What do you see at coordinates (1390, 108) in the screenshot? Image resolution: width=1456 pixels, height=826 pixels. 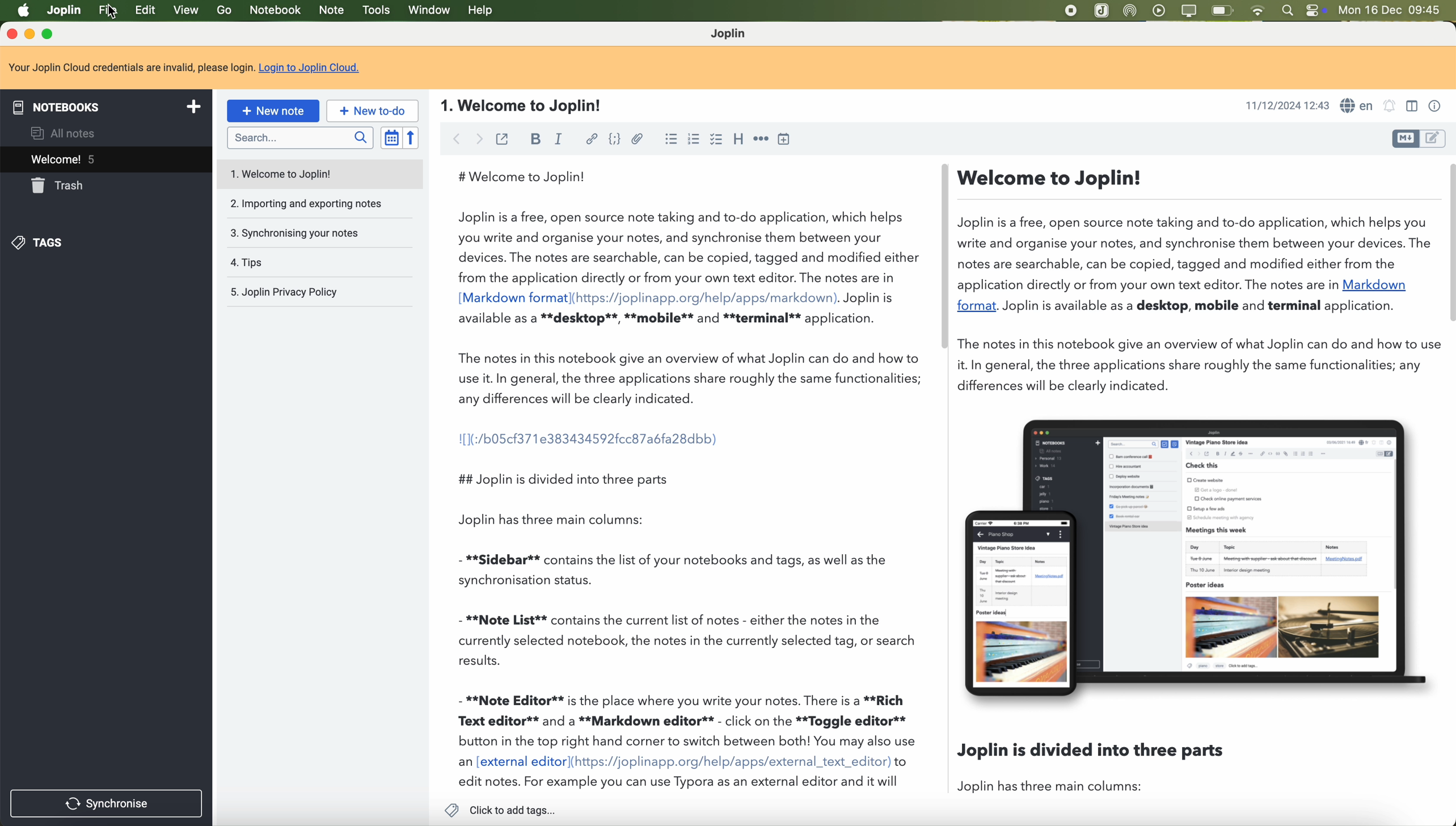 I see `set alarm` at bounding box center [1390, 108].